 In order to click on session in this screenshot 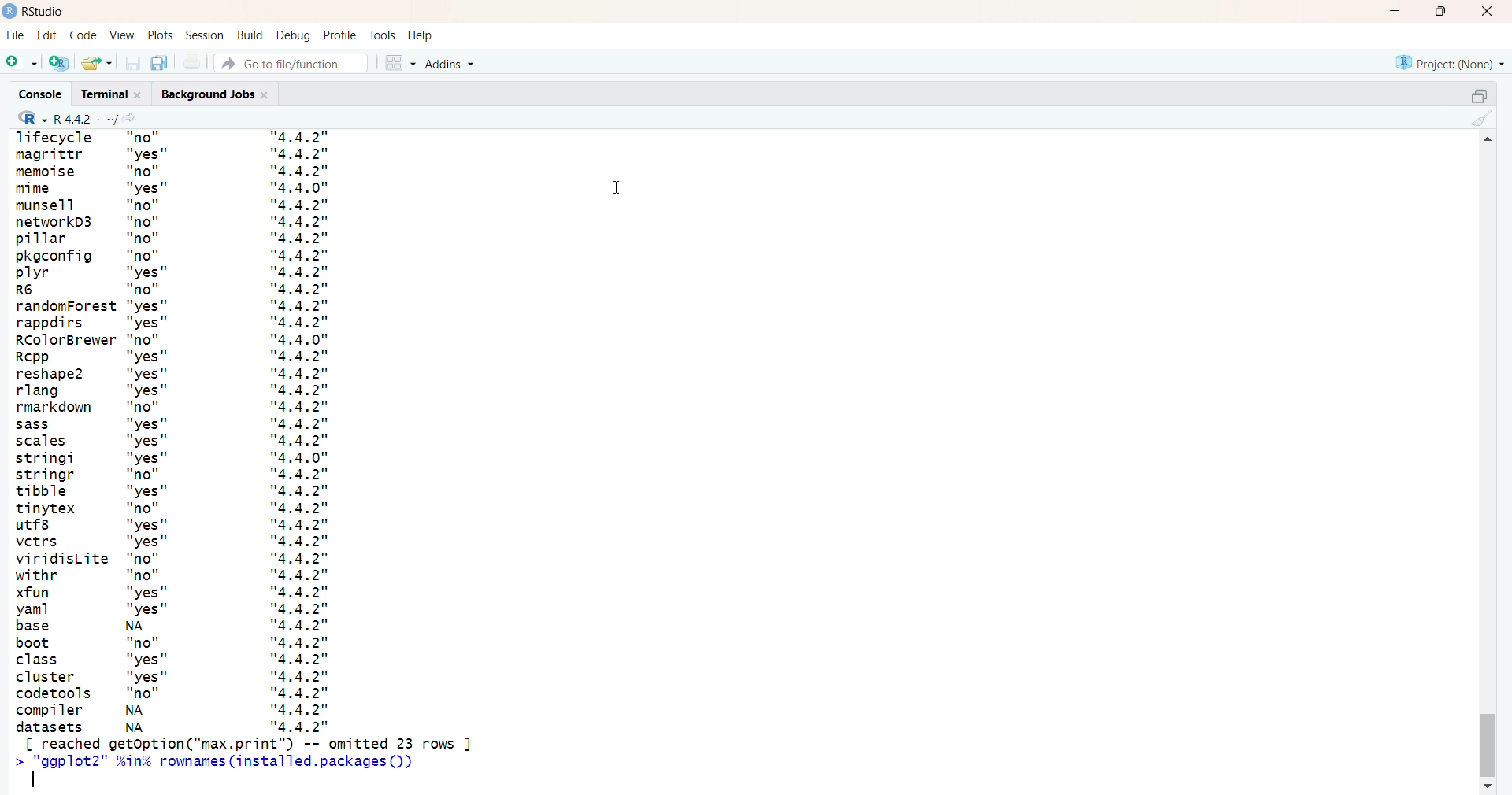, I will do `click(205, 35)`.